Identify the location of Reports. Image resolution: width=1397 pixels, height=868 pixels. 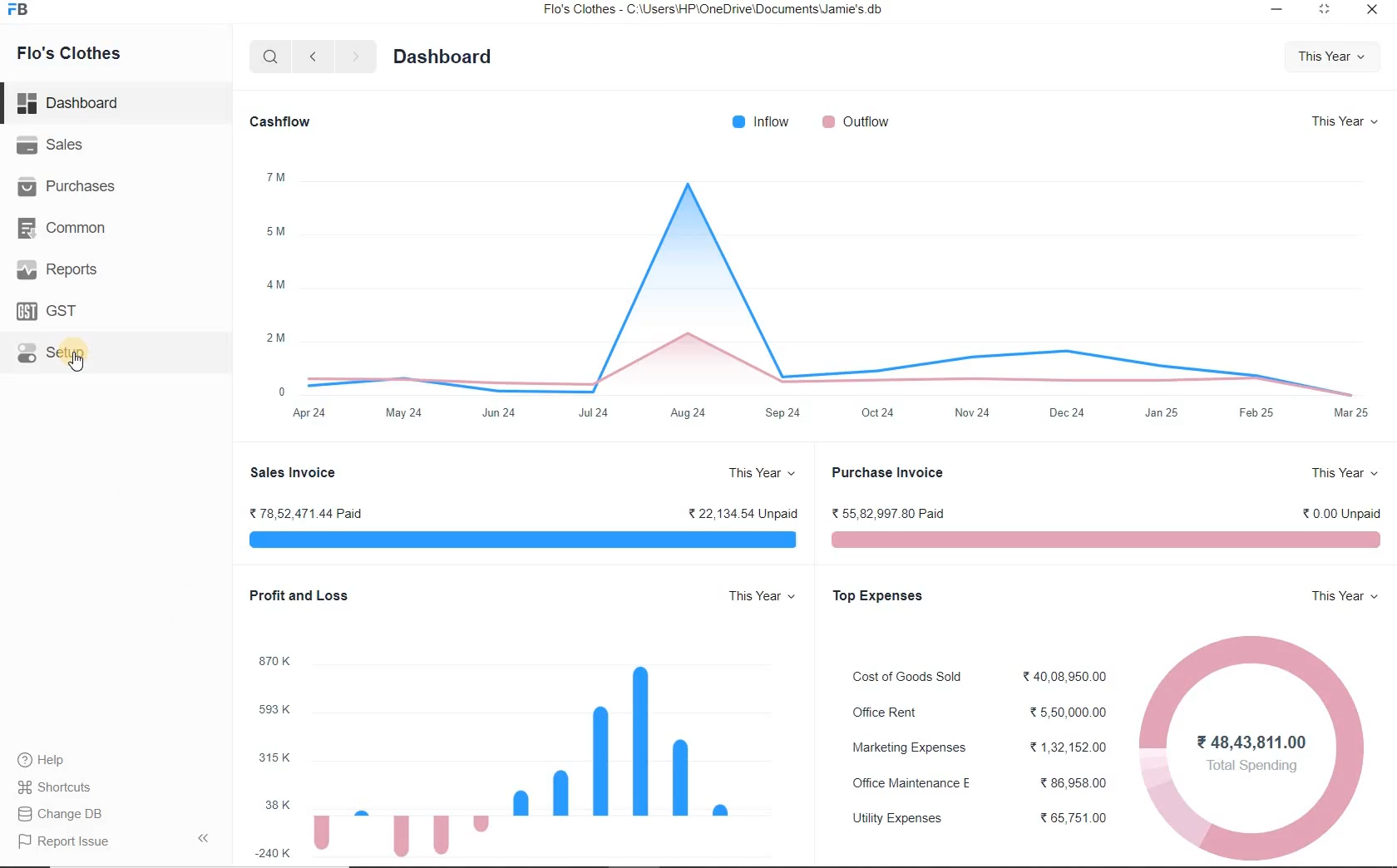
(58, 270).